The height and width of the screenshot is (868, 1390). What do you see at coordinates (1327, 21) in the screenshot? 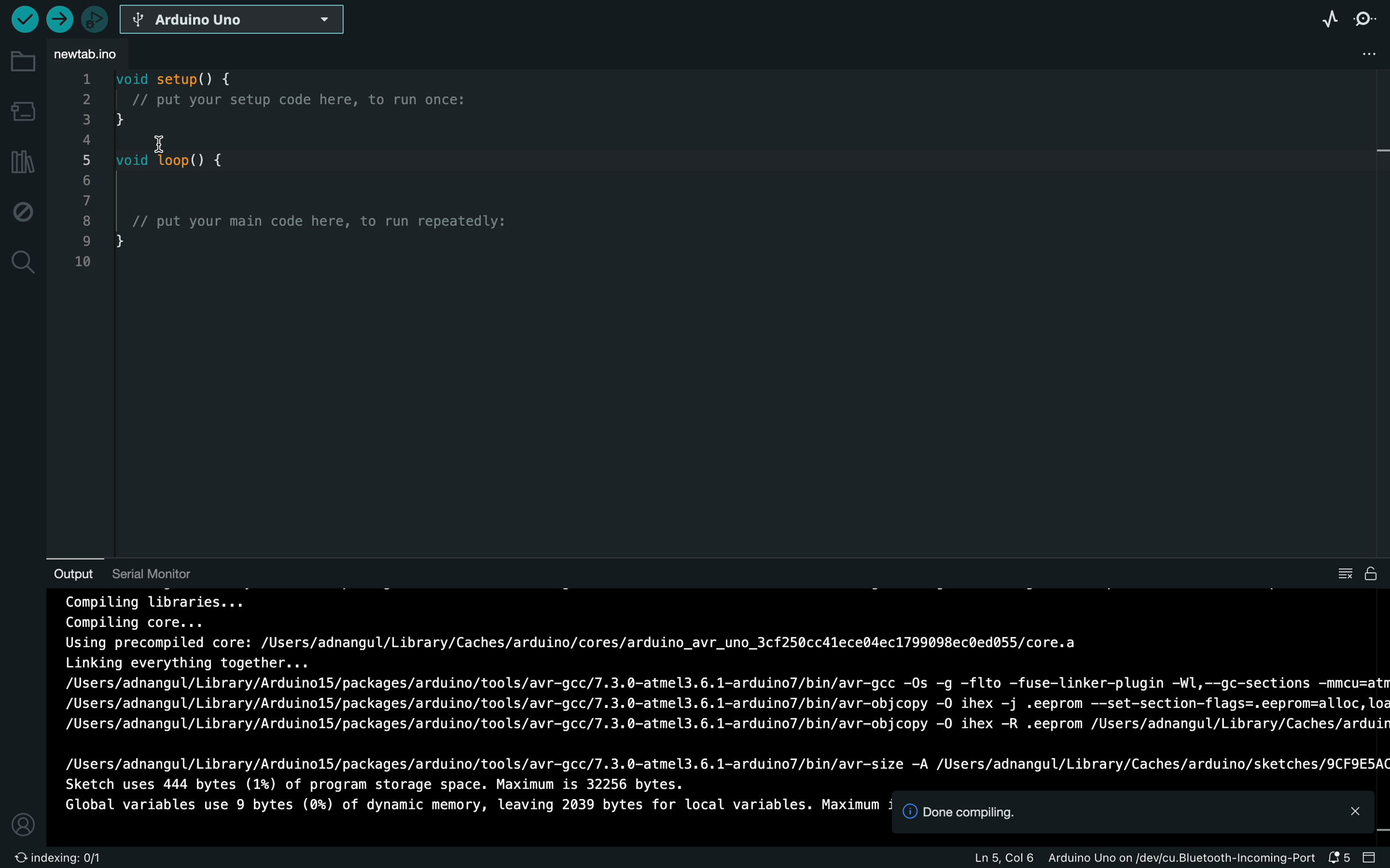
I see `serial plotter` at bounding box center [1327, 21].